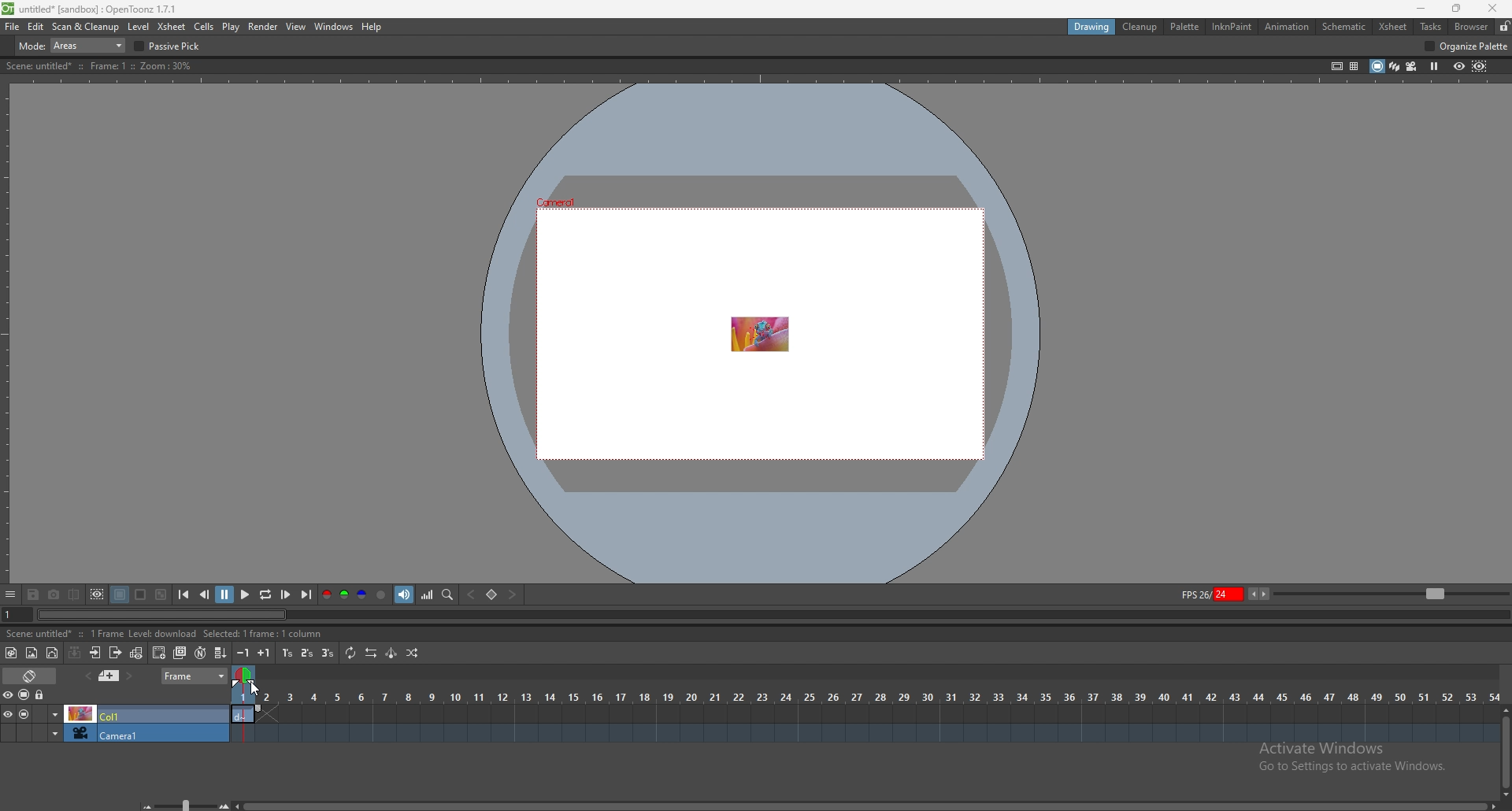 The height and width of the screenshot is (811, 1512). I want to click on animation area, so click(758, 332).